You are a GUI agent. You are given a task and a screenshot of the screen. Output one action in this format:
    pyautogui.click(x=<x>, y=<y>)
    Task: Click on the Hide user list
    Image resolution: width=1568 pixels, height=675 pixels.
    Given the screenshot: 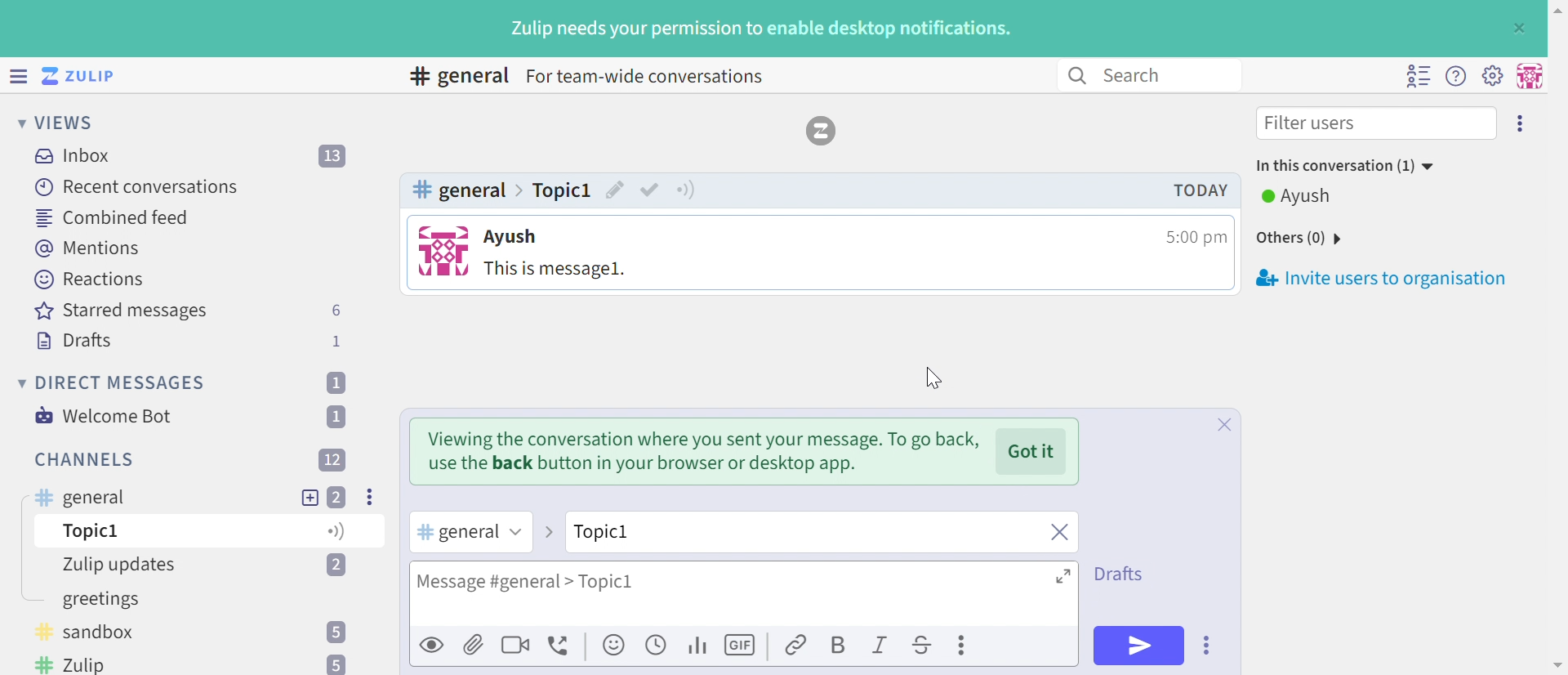 What is the action you would take?
    pyautogui.click(x=1418, y=76)
    